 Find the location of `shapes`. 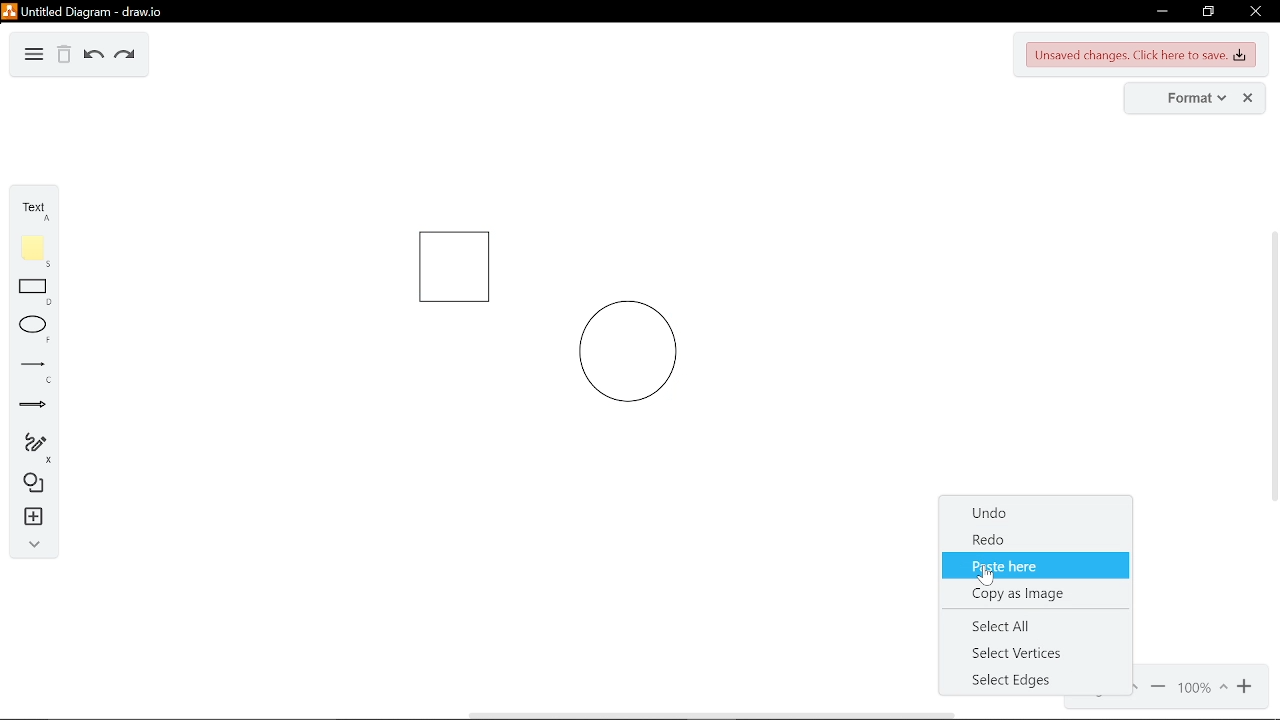

shapes is located at coordinates (30, 484).